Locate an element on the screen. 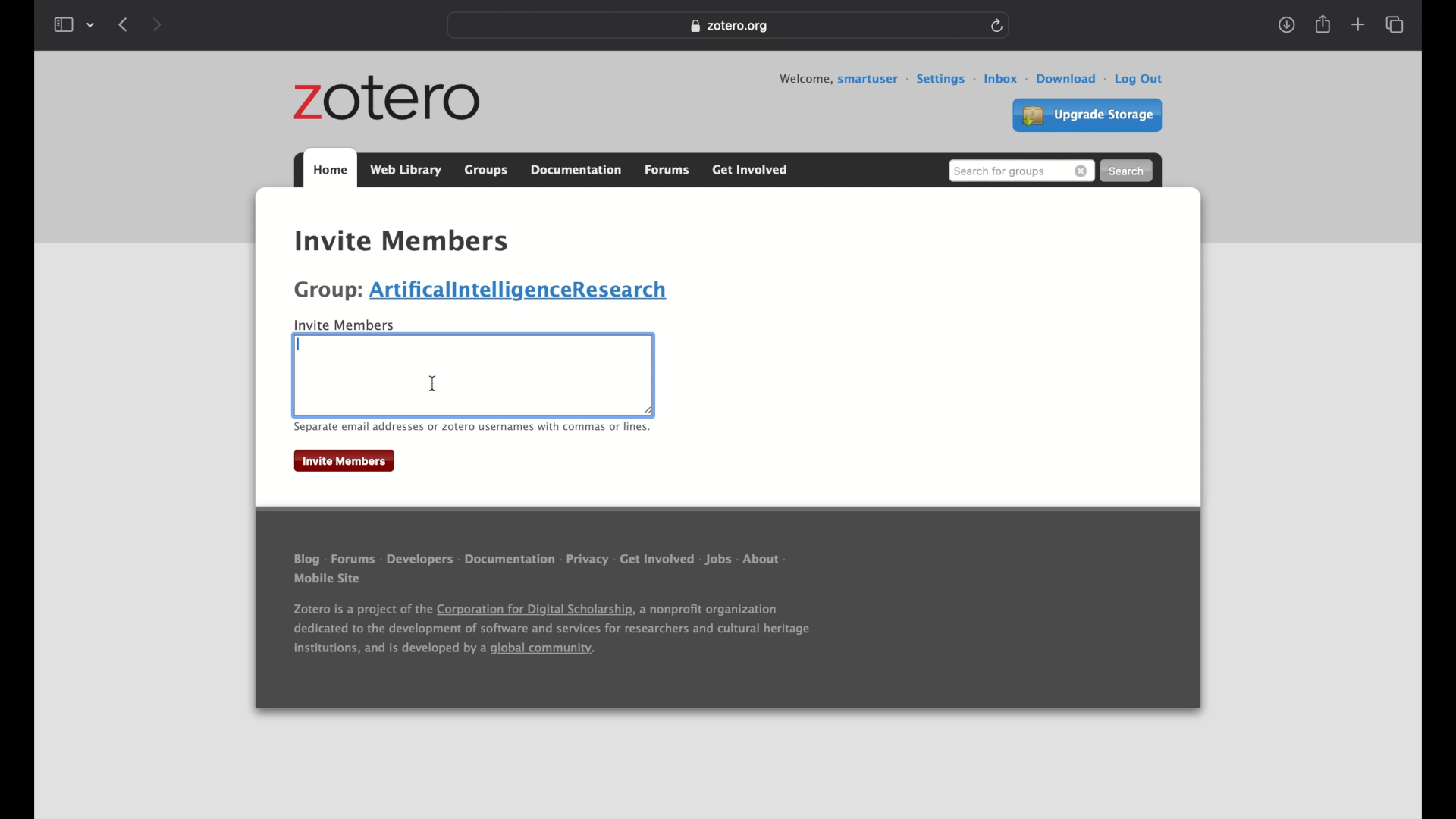 Image resolution: width=1456 pixels, height=819 pixels. documentation is located at coordinates (576, 169).